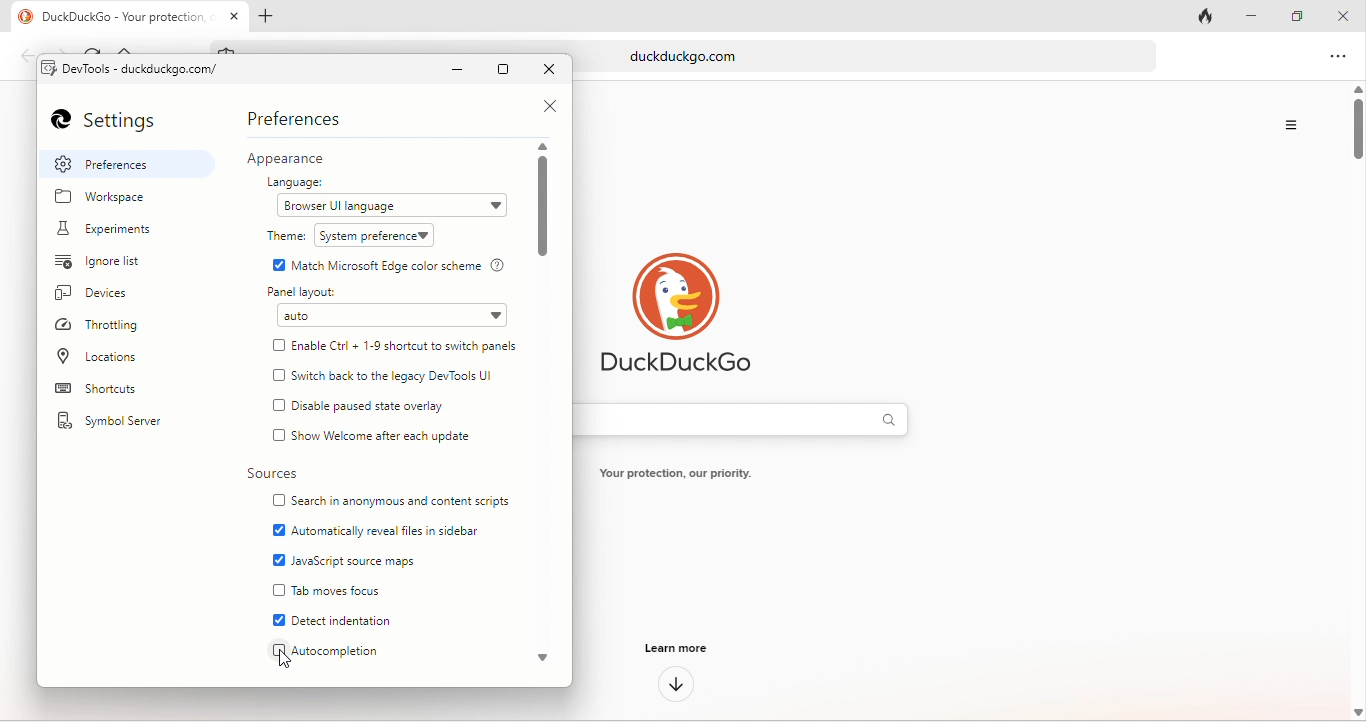 This screenshot has height=722, width=1366. What do you see at coordinates (116, 122) in the screenshot?
I see `settings` at bounding box center [116, 122].